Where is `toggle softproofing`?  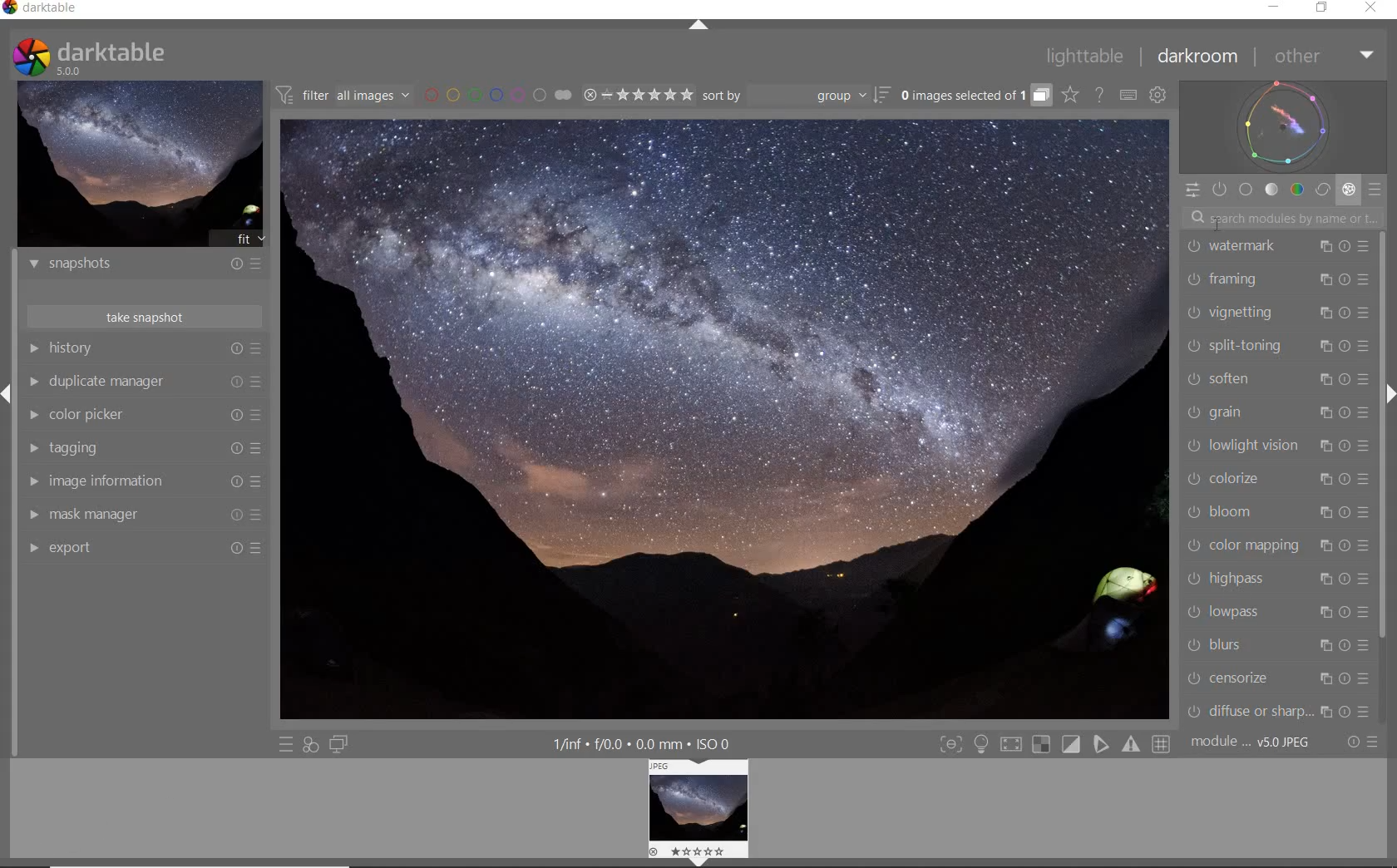
toggle softproofing is located at coordinates (1105, 747).